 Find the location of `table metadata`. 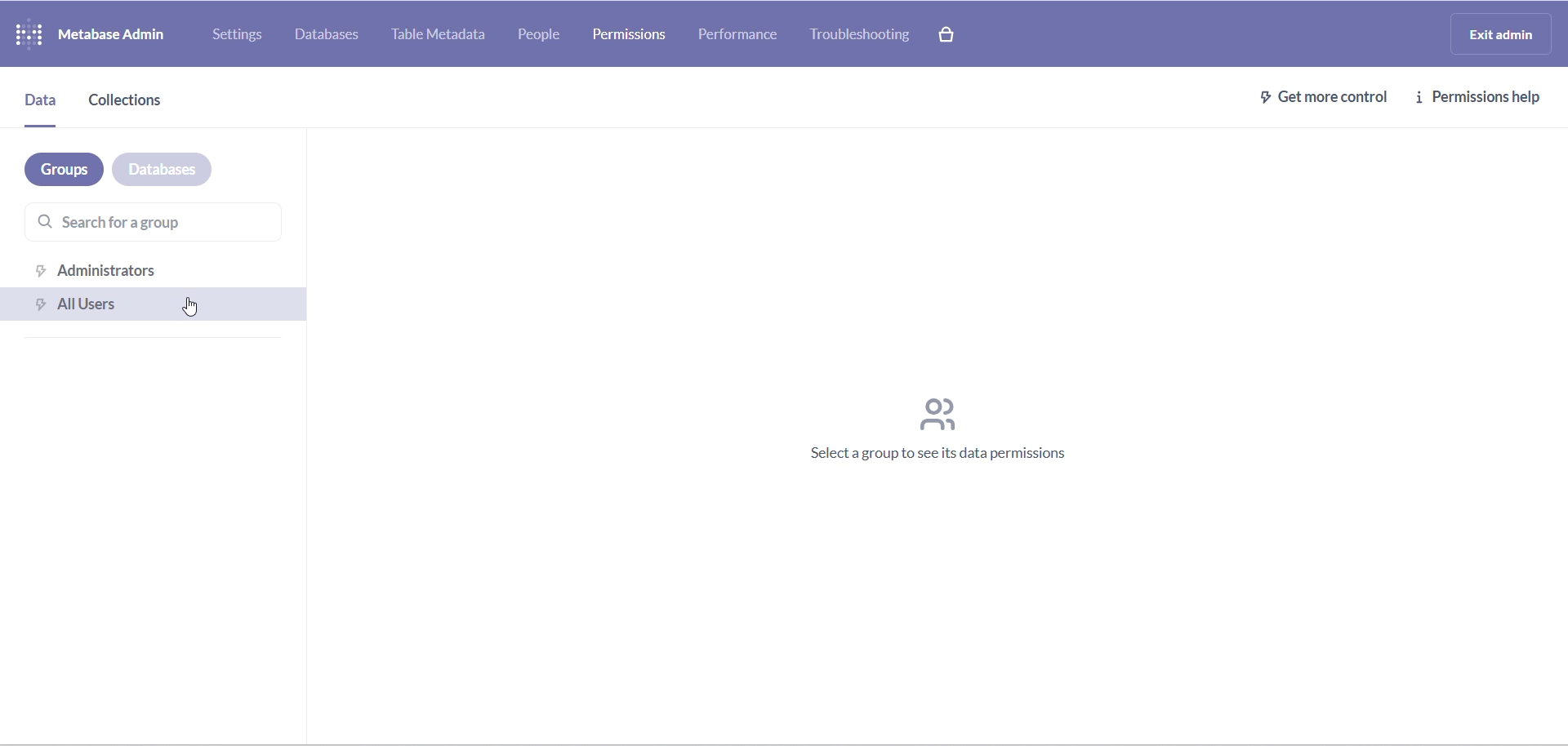

table metadata is located at coordinates (445, 36).